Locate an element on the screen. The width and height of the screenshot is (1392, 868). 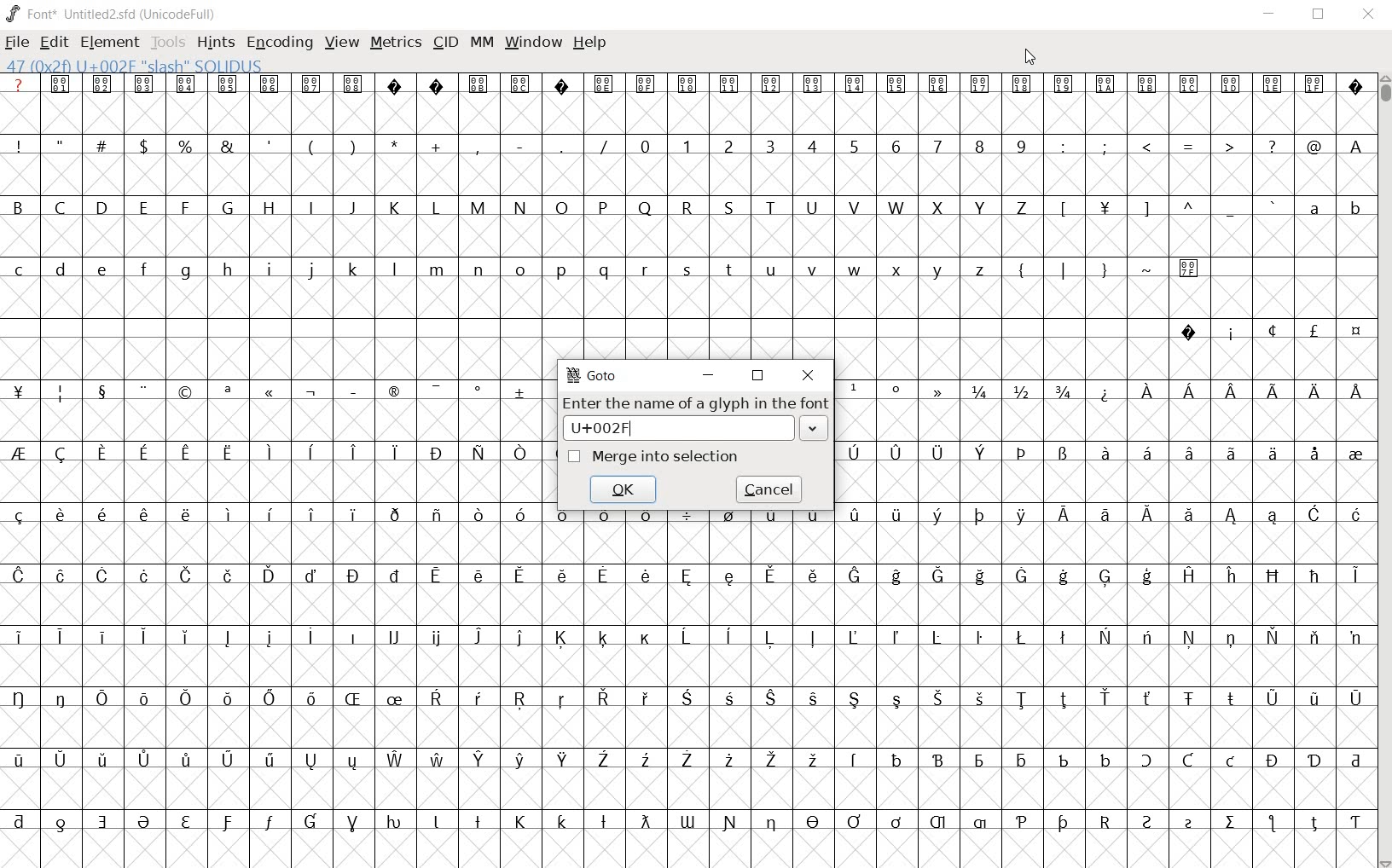
HINTS is located at coordinates (216, 43).